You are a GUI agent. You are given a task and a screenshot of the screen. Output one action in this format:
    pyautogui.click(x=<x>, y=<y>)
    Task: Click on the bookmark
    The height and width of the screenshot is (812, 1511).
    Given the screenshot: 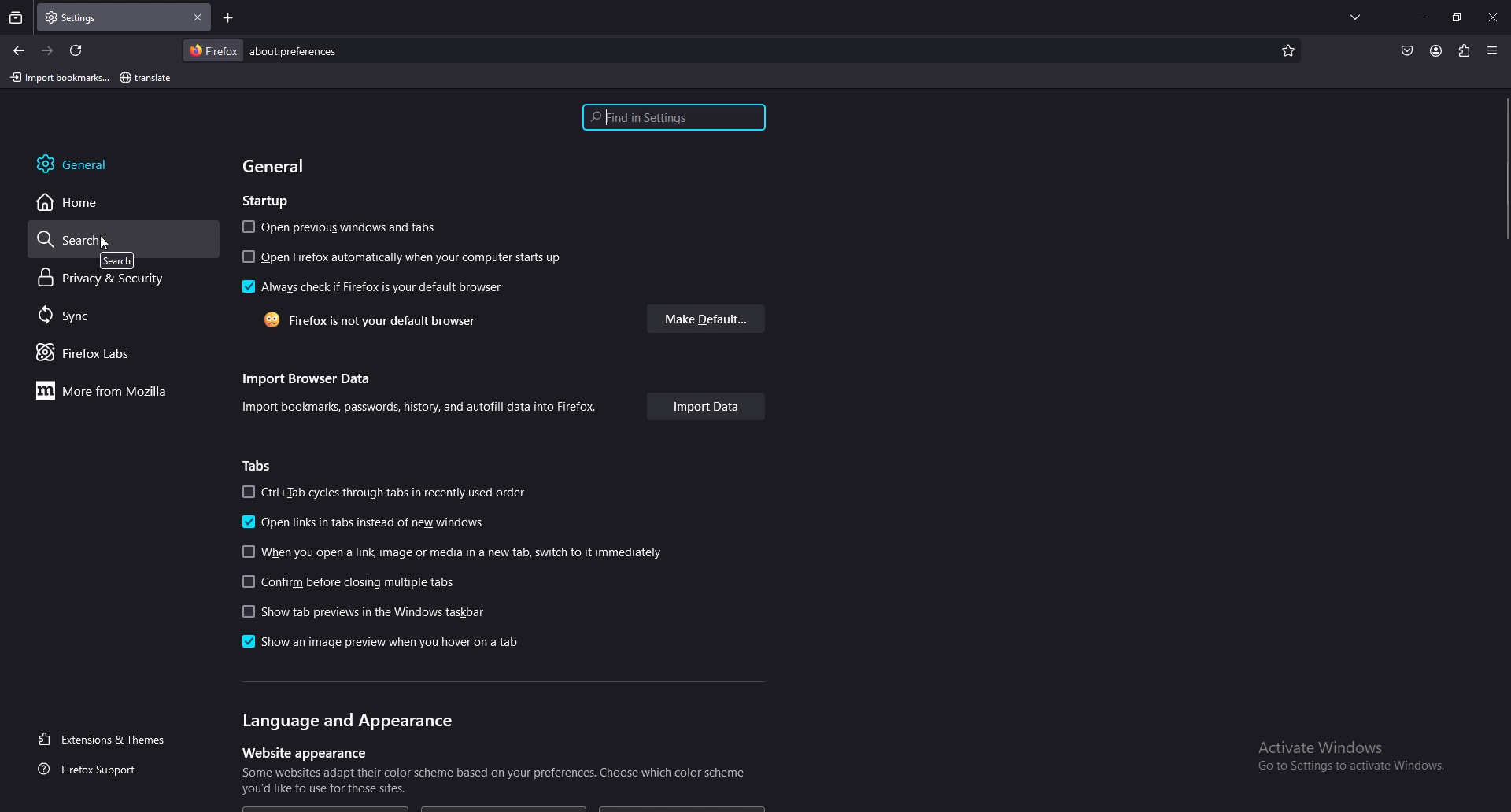 What is the action you would take?
    pyautogui.click(x=147, y=79)
    